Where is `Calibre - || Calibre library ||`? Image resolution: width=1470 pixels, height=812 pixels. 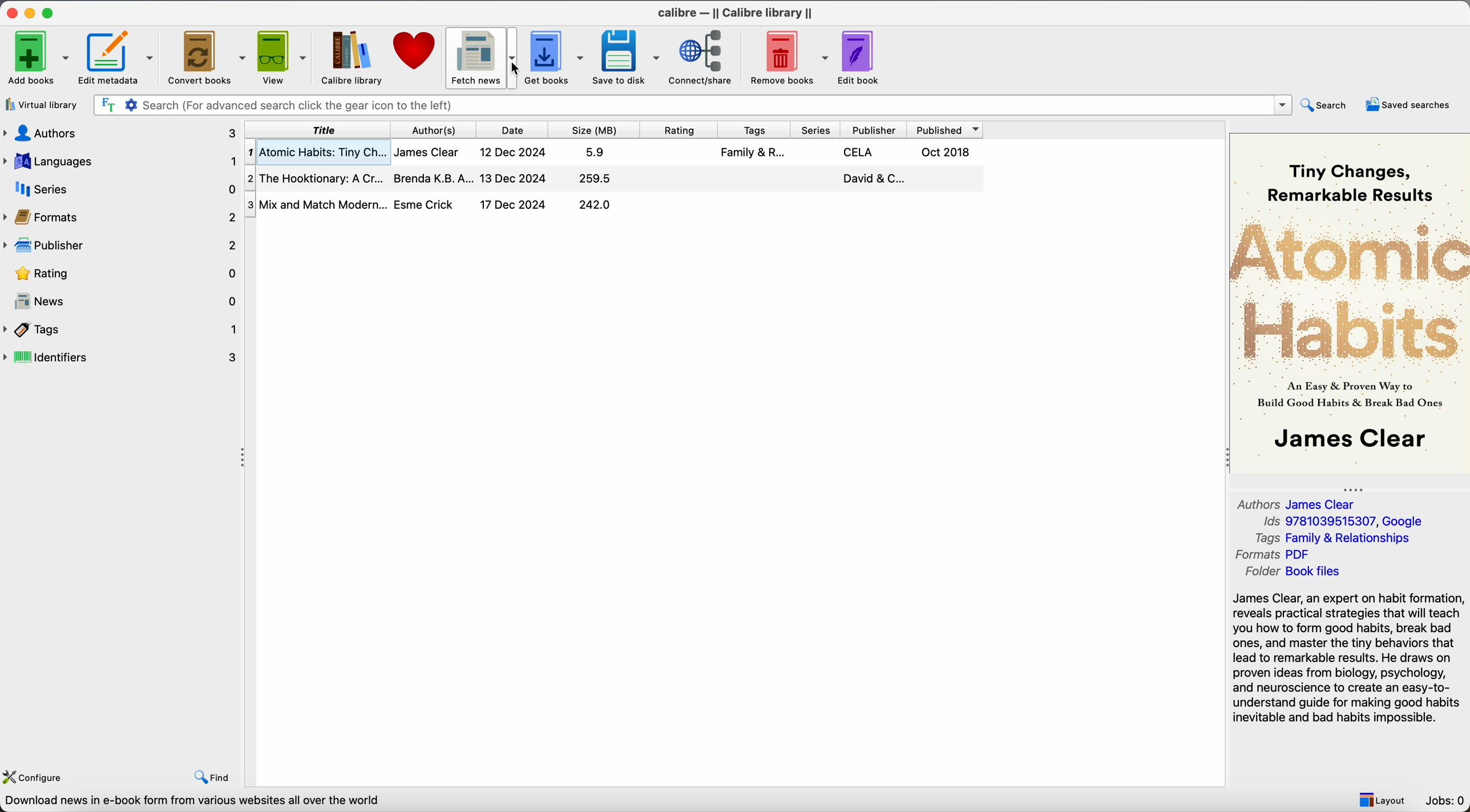 Calibre - || Calibre library || is located at coordinates (738, 12).